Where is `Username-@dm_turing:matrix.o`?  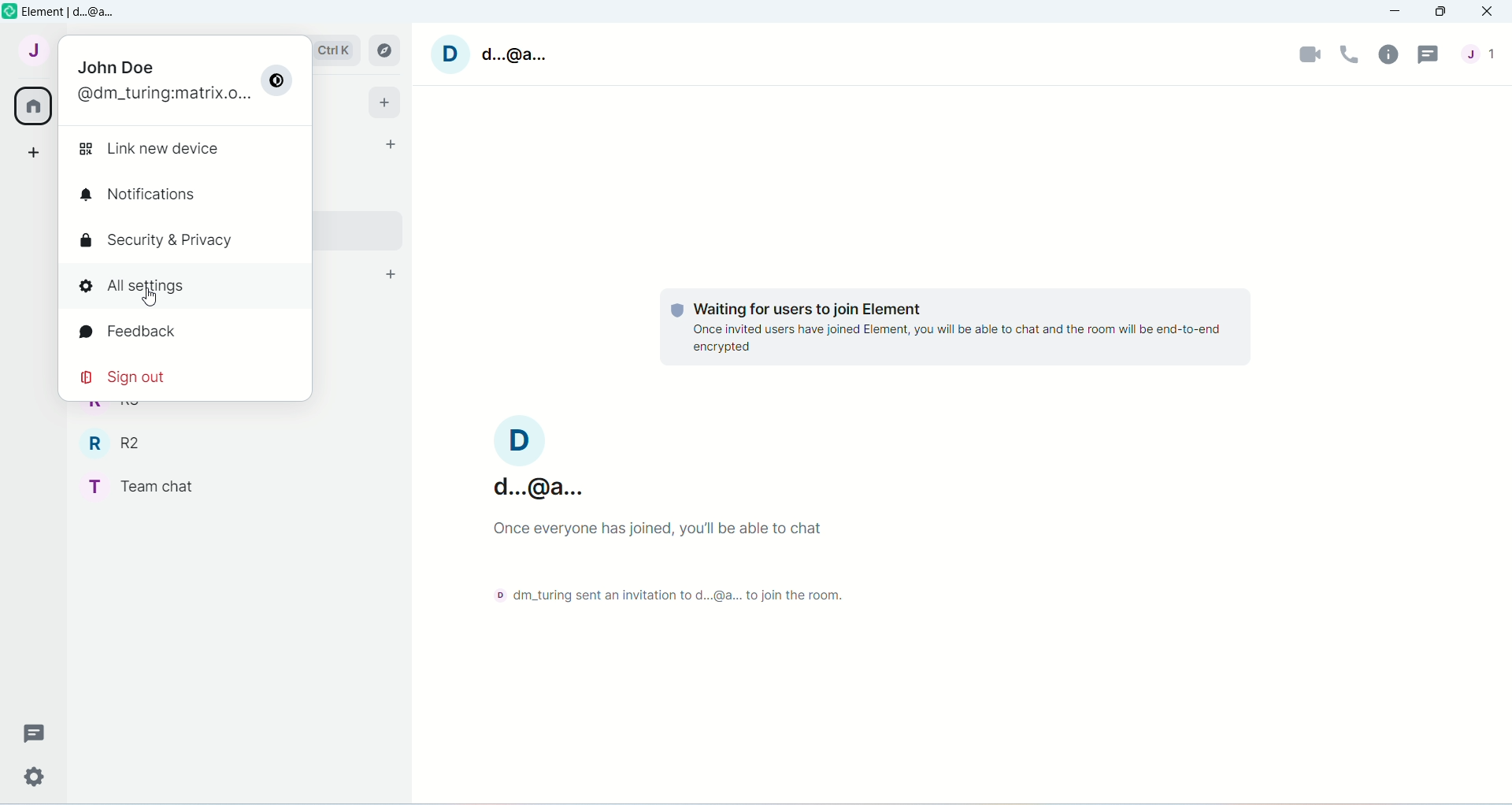 Username-@dm_turing:matrix.o is located at coordinates (161, 94).